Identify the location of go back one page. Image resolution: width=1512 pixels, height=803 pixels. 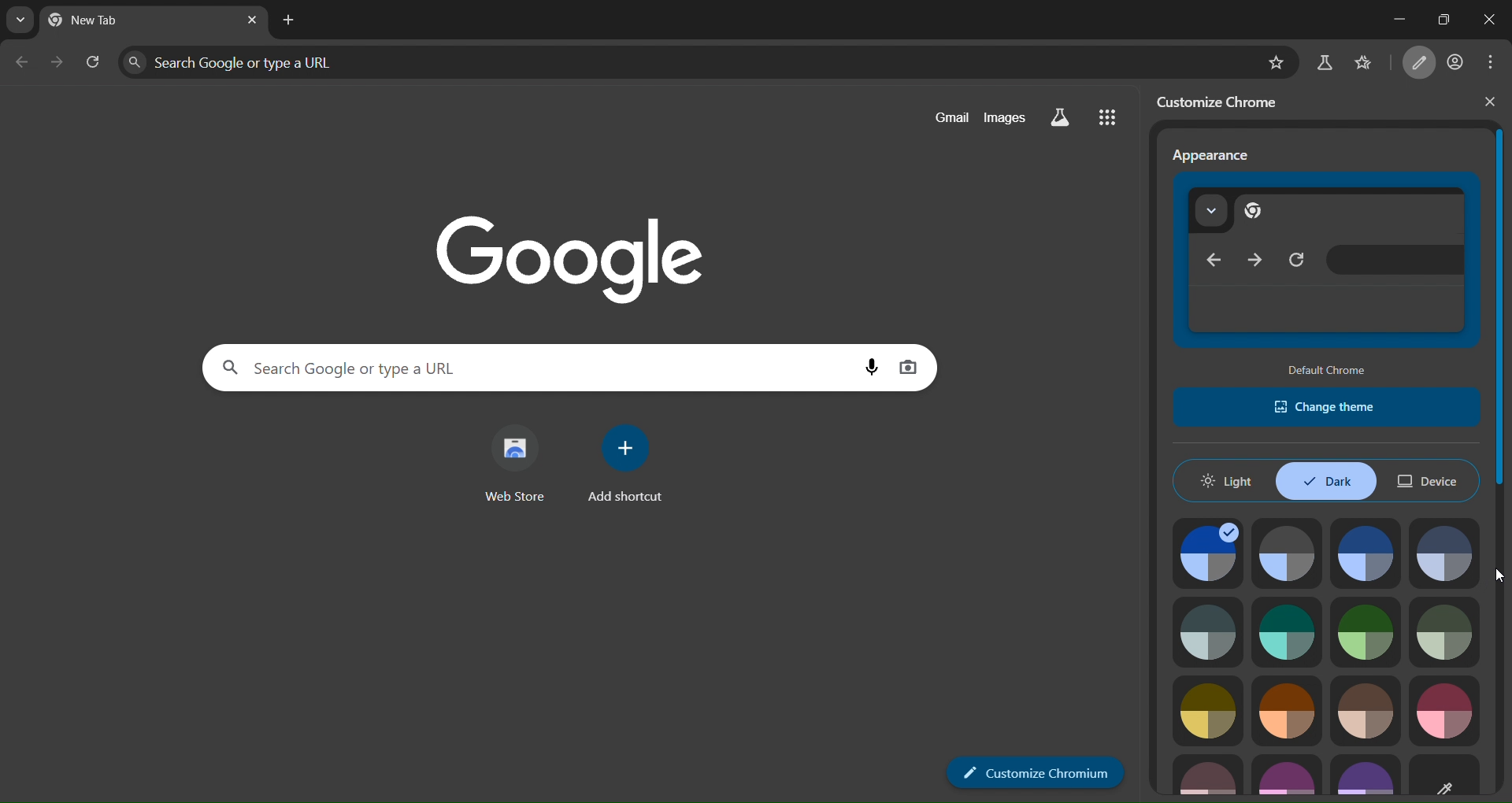
(24, 65).